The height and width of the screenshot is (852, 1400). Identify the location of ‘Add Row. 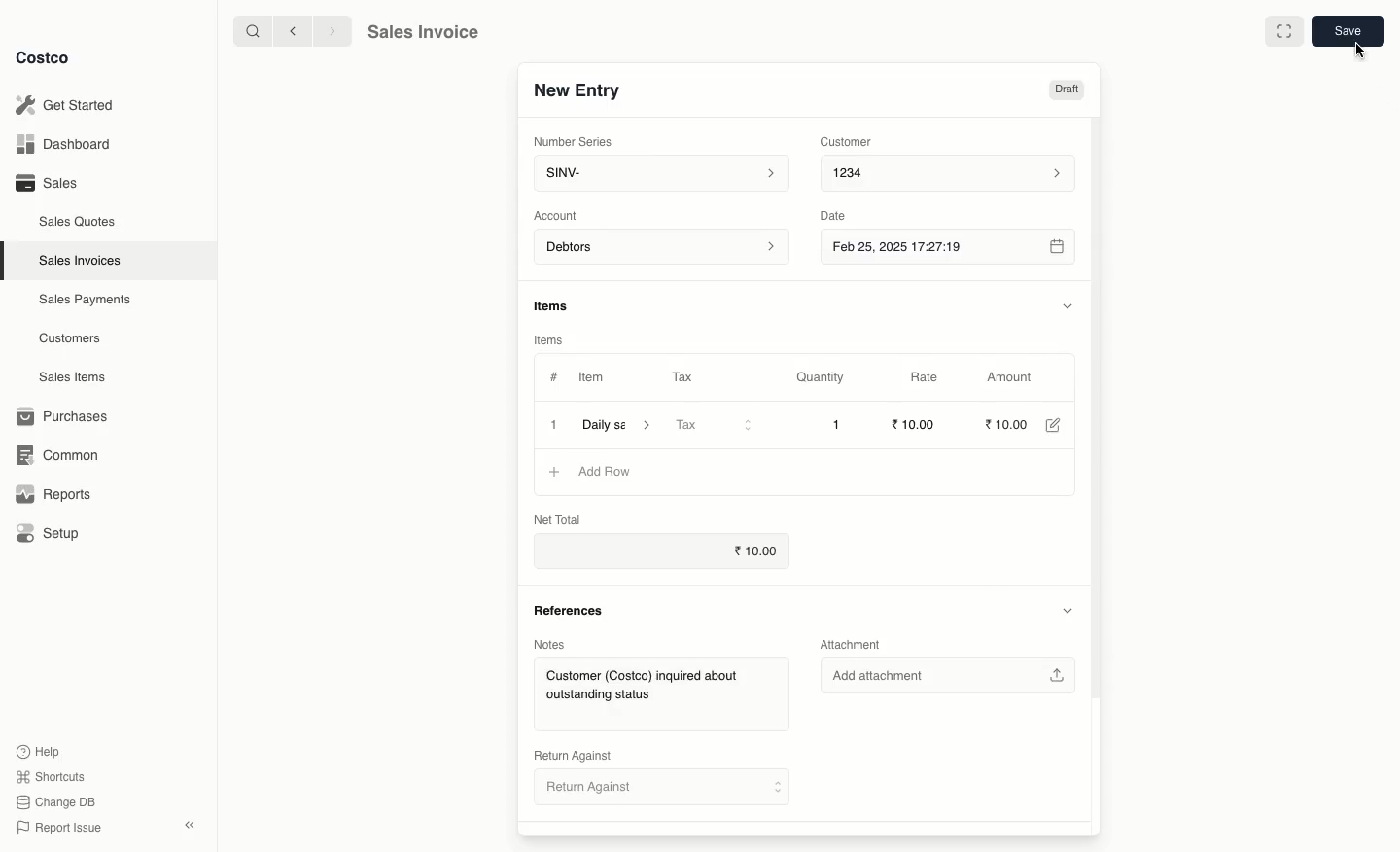
(610, 472).